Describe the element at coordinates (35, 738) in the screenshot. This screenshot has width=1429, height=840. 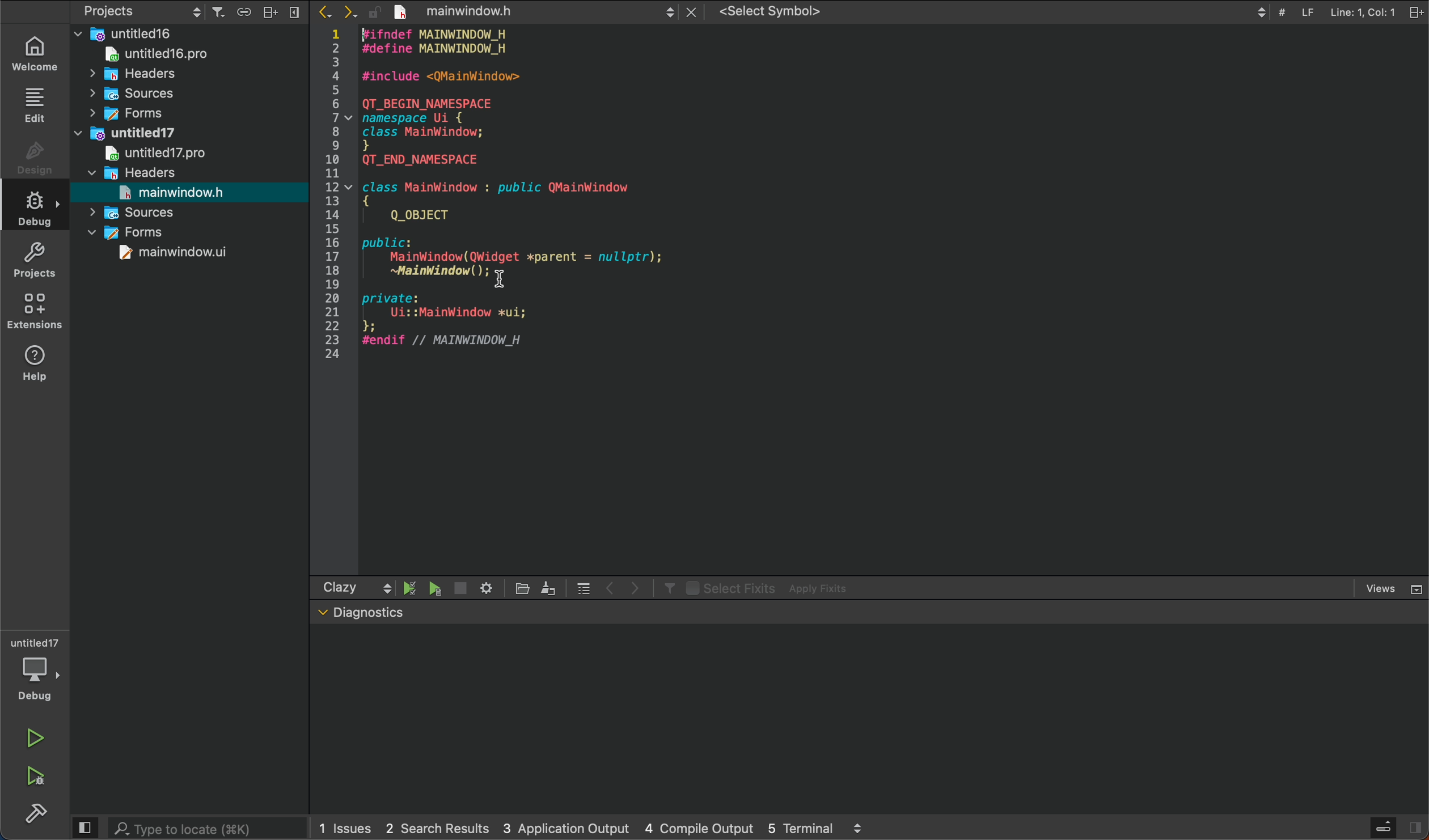
I see `run` at that location.